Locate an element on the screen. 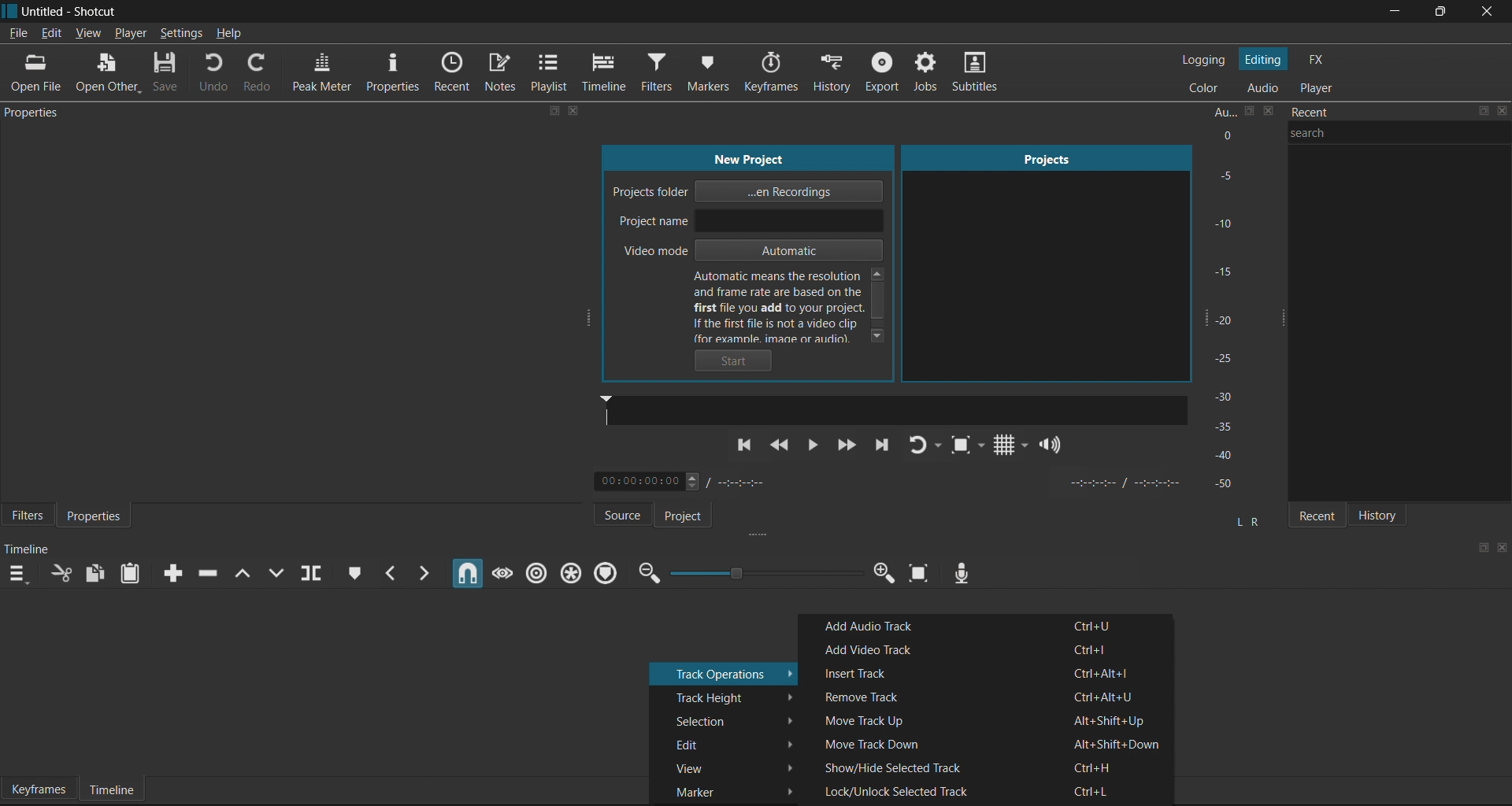  Recent is located at coordinates (1313, 512).